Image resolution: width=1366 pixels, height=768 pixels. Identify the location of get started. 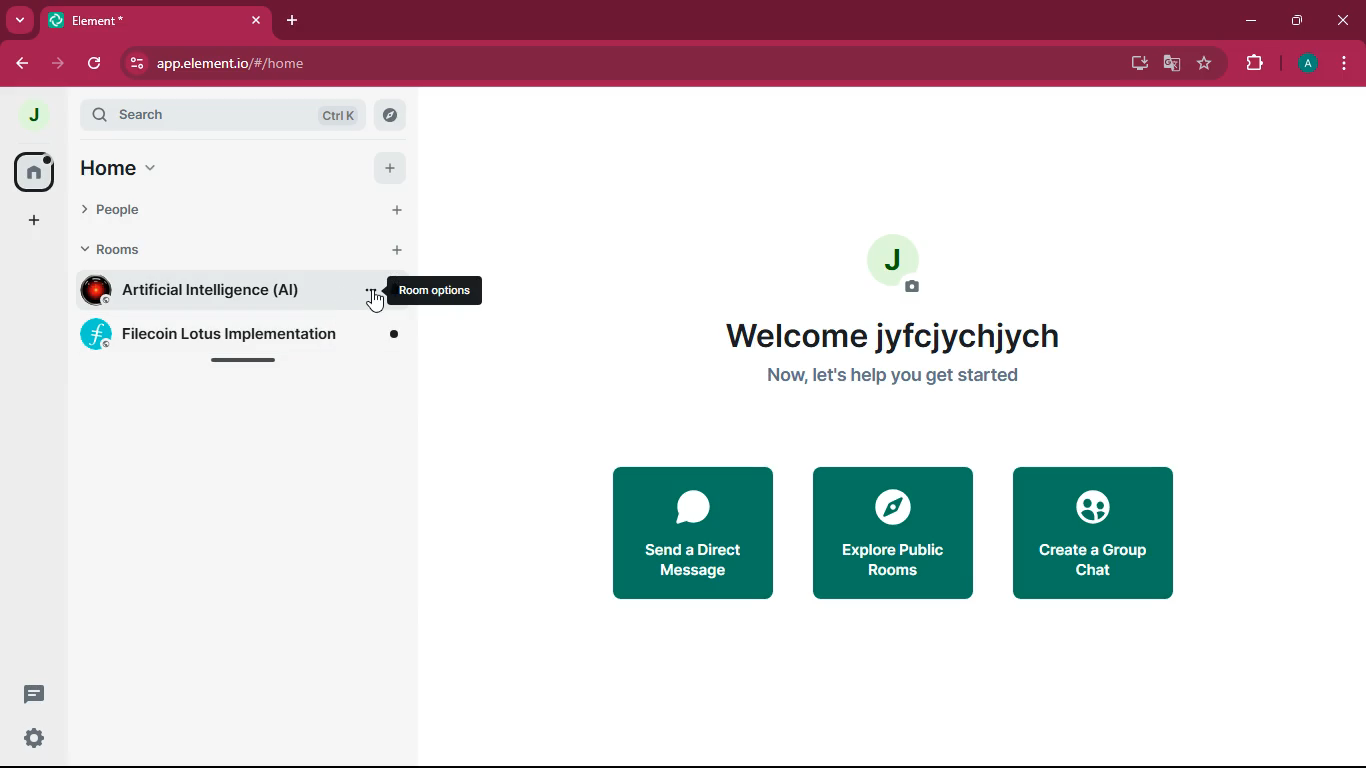
(890, 379).